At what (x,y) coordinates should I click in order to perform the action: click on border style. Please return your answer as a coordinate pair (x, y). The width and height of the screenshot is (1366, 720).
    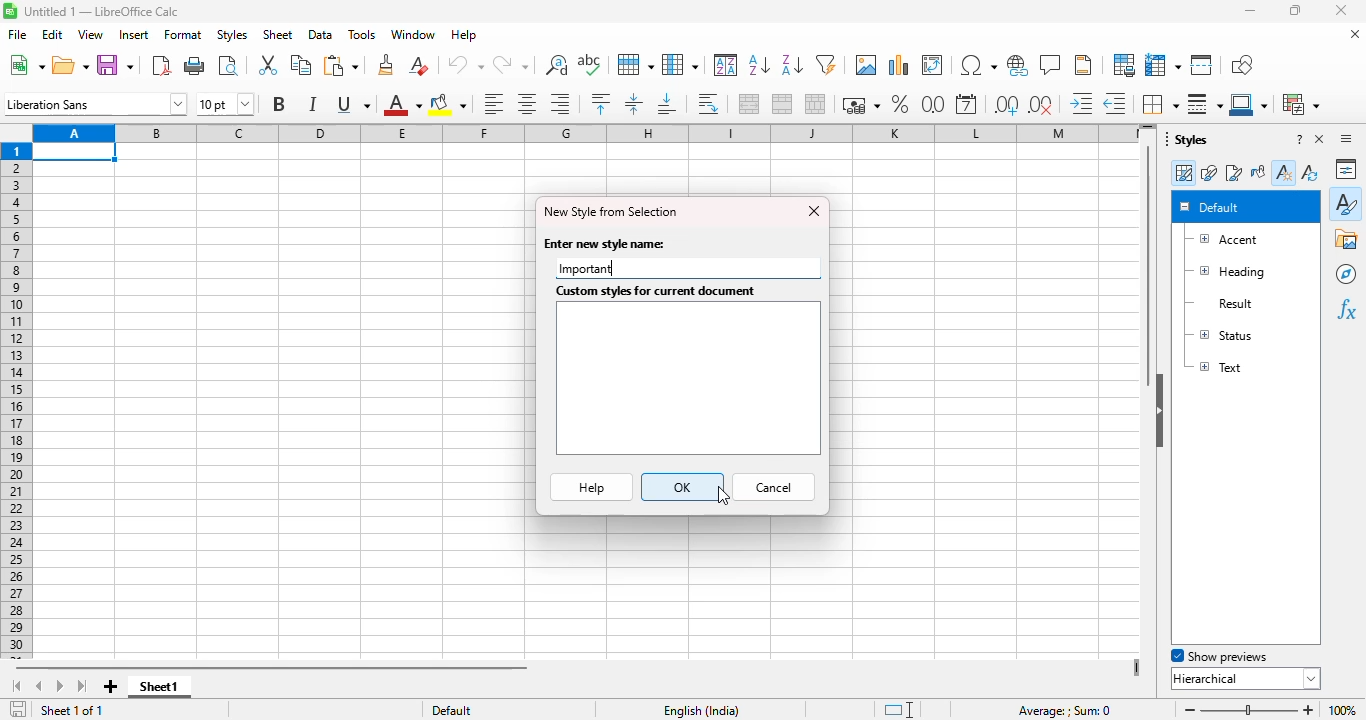
    Looking at the image, I should click on (1205, 104).